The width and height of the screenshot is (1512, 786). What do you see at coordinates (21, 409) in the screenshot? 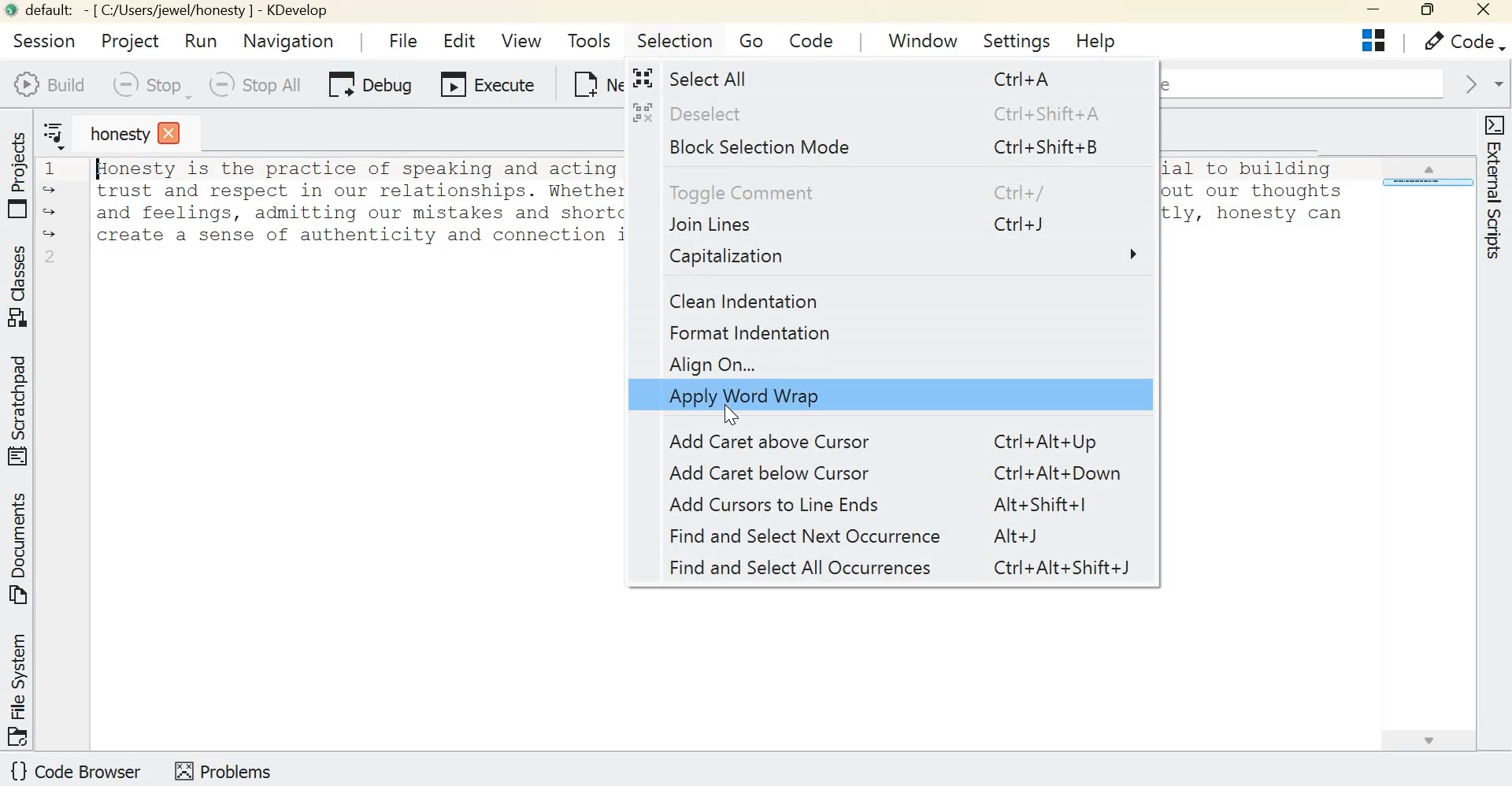
I see `Toggle 'Scratchpad' tool view` at bounding box center [21, 409].